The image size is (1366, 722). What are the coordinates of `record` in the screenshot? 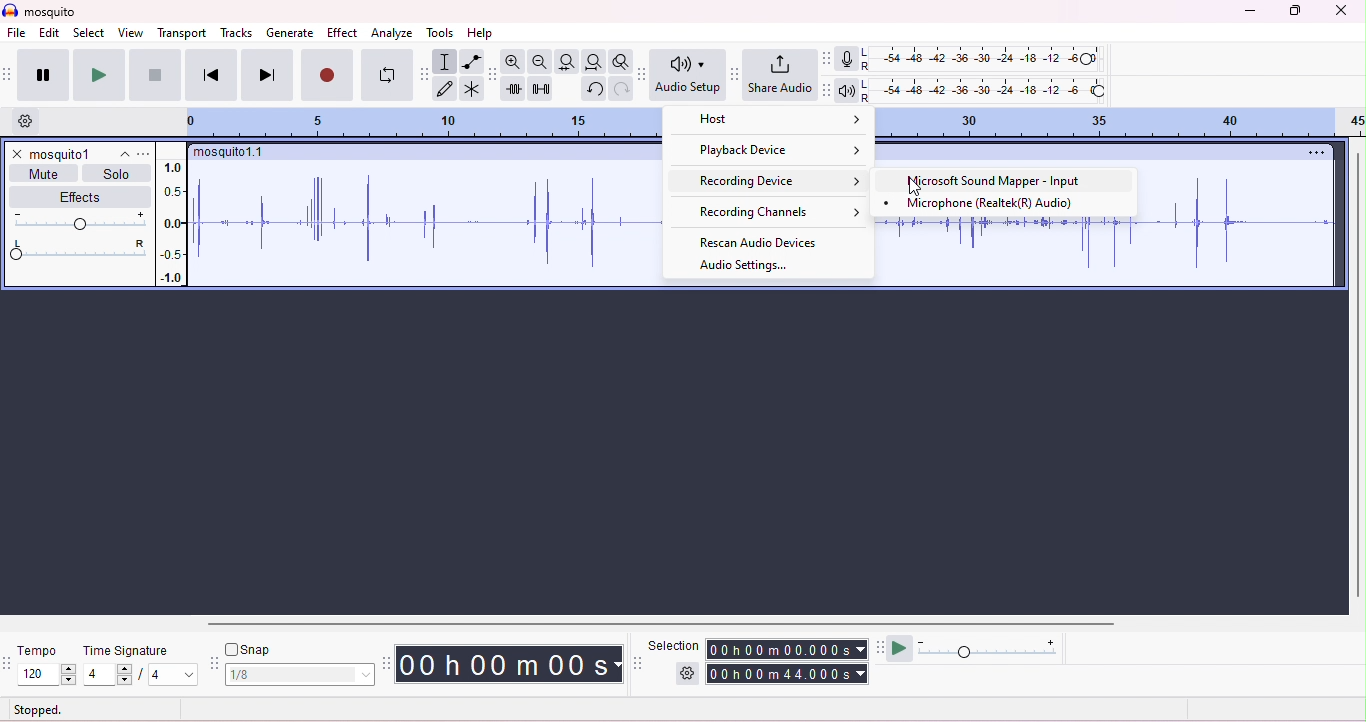 It's located at (327, 74).